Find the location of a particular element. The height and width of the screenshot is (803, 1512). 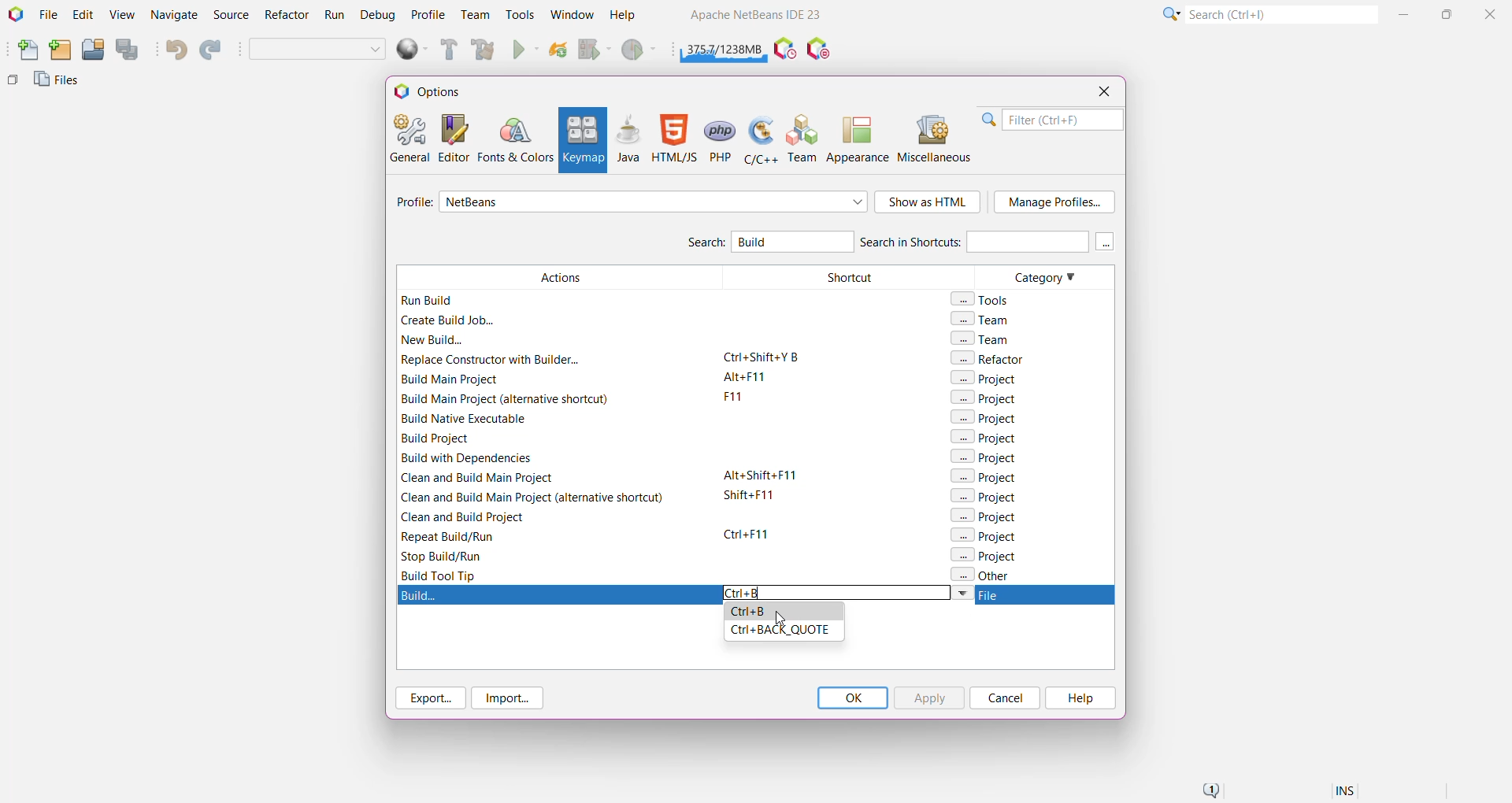

Run is located at coordinates (526, 51).